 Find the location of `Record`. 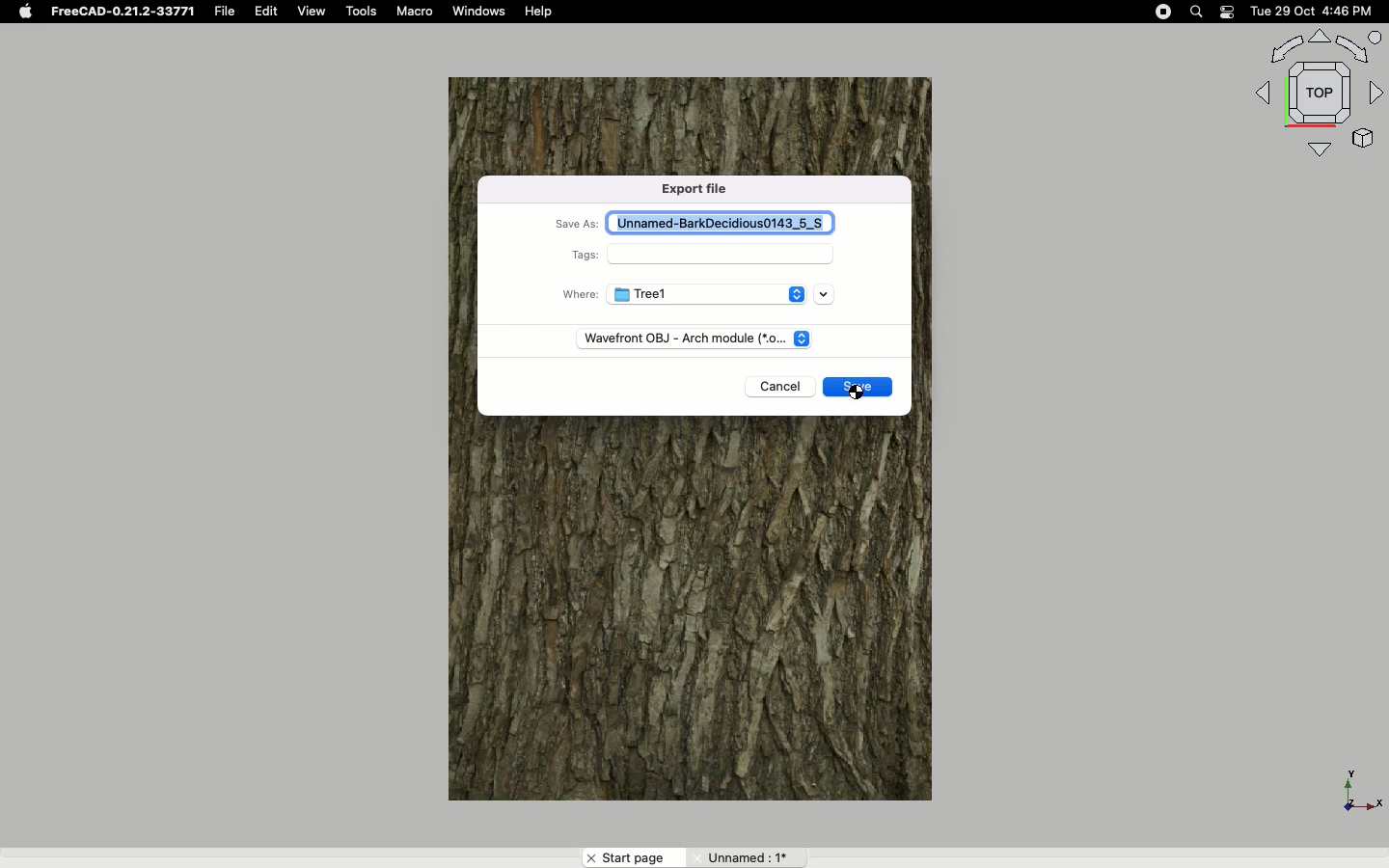

Record is located at coordinates (1158, 12).